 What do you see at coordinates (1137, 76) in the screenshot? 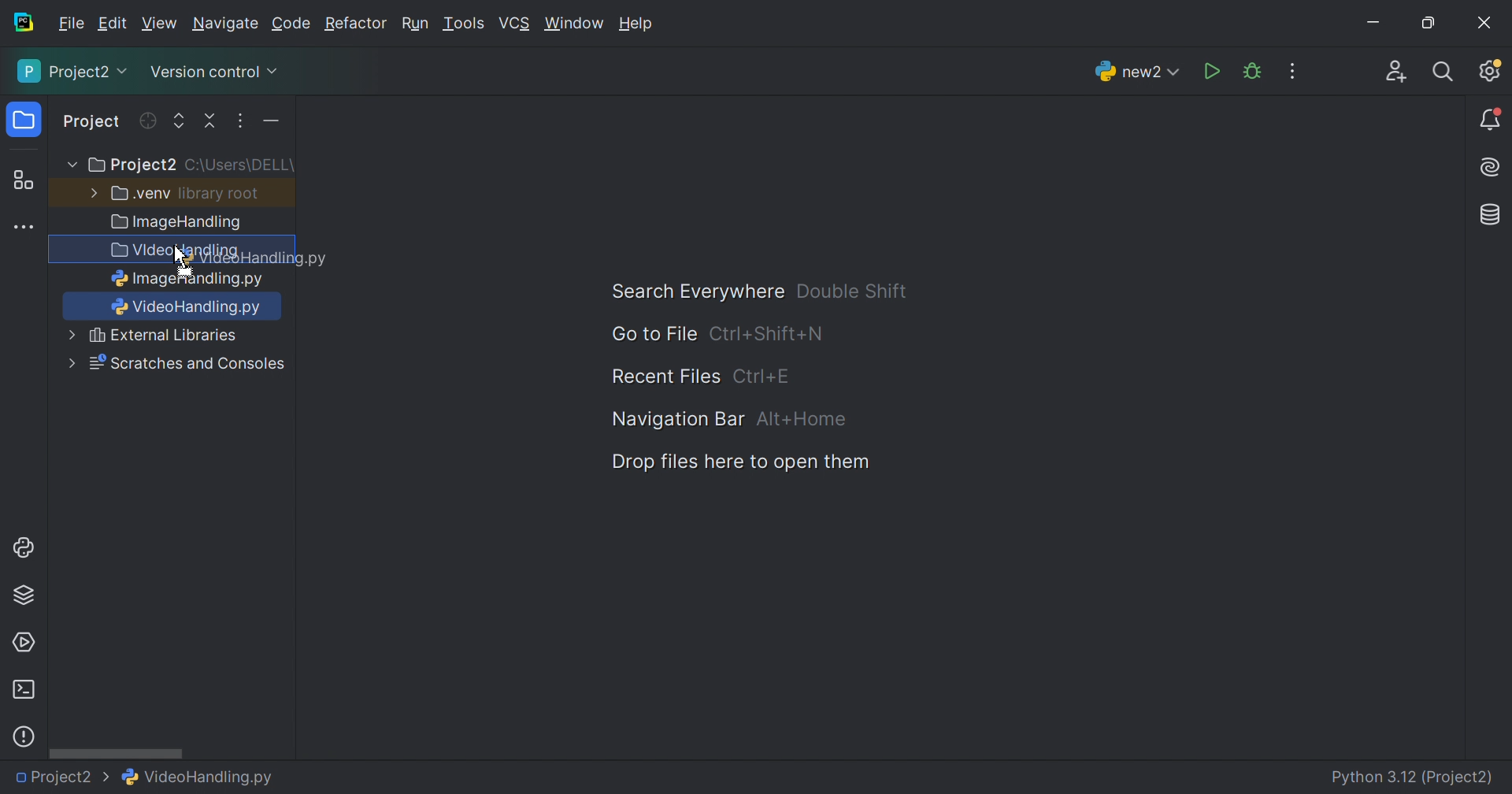
I see `new2` at bounding box center [1137, 76].